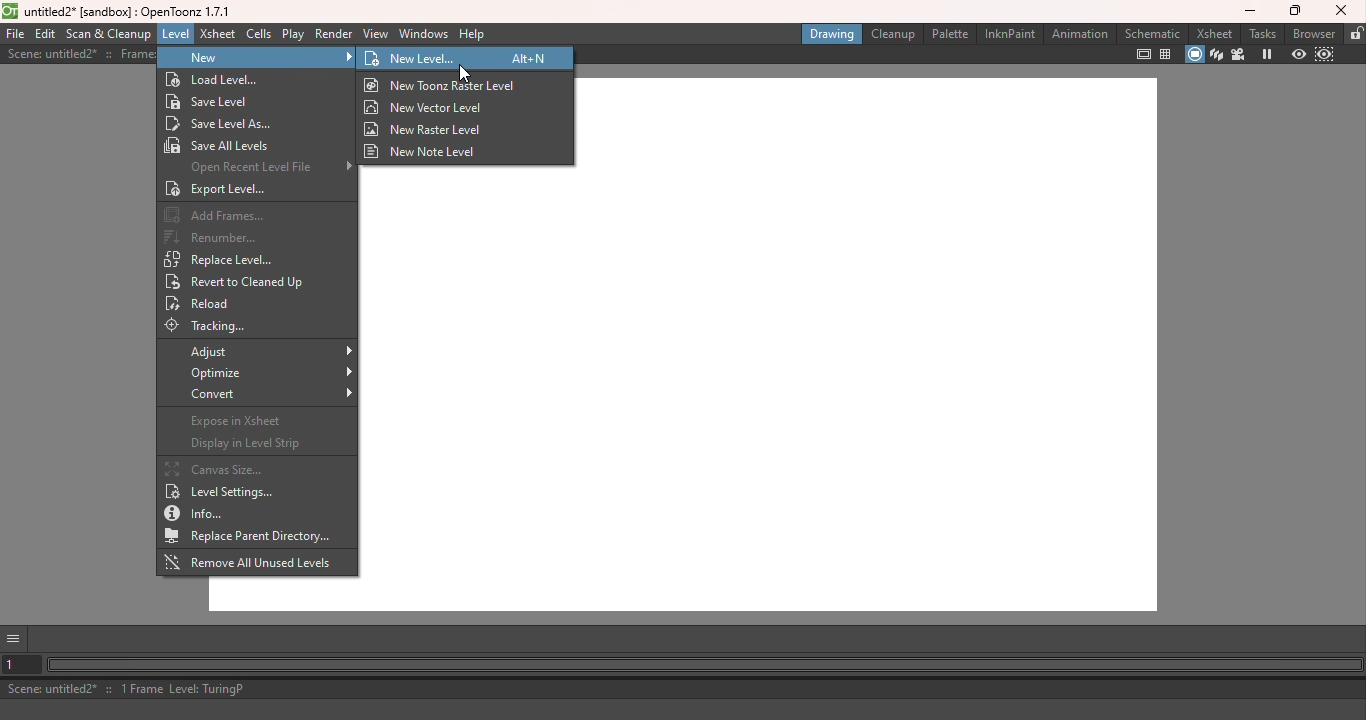 Image resolution: width=1366 pixels, height=720 pixels. I want to click on Info, so click(203, 513).